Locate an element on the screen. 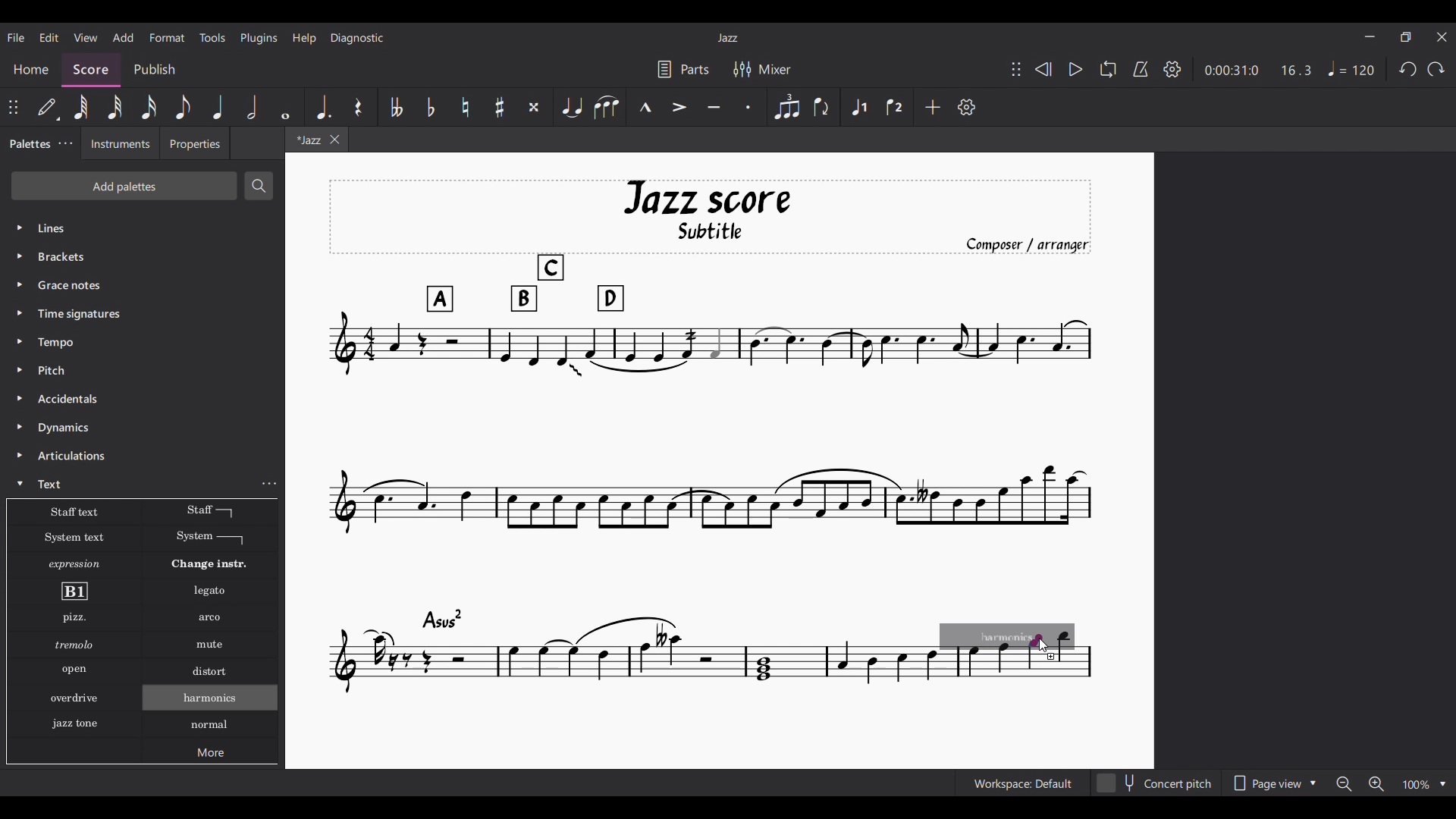  Play is located at coordinates (1076, 69).